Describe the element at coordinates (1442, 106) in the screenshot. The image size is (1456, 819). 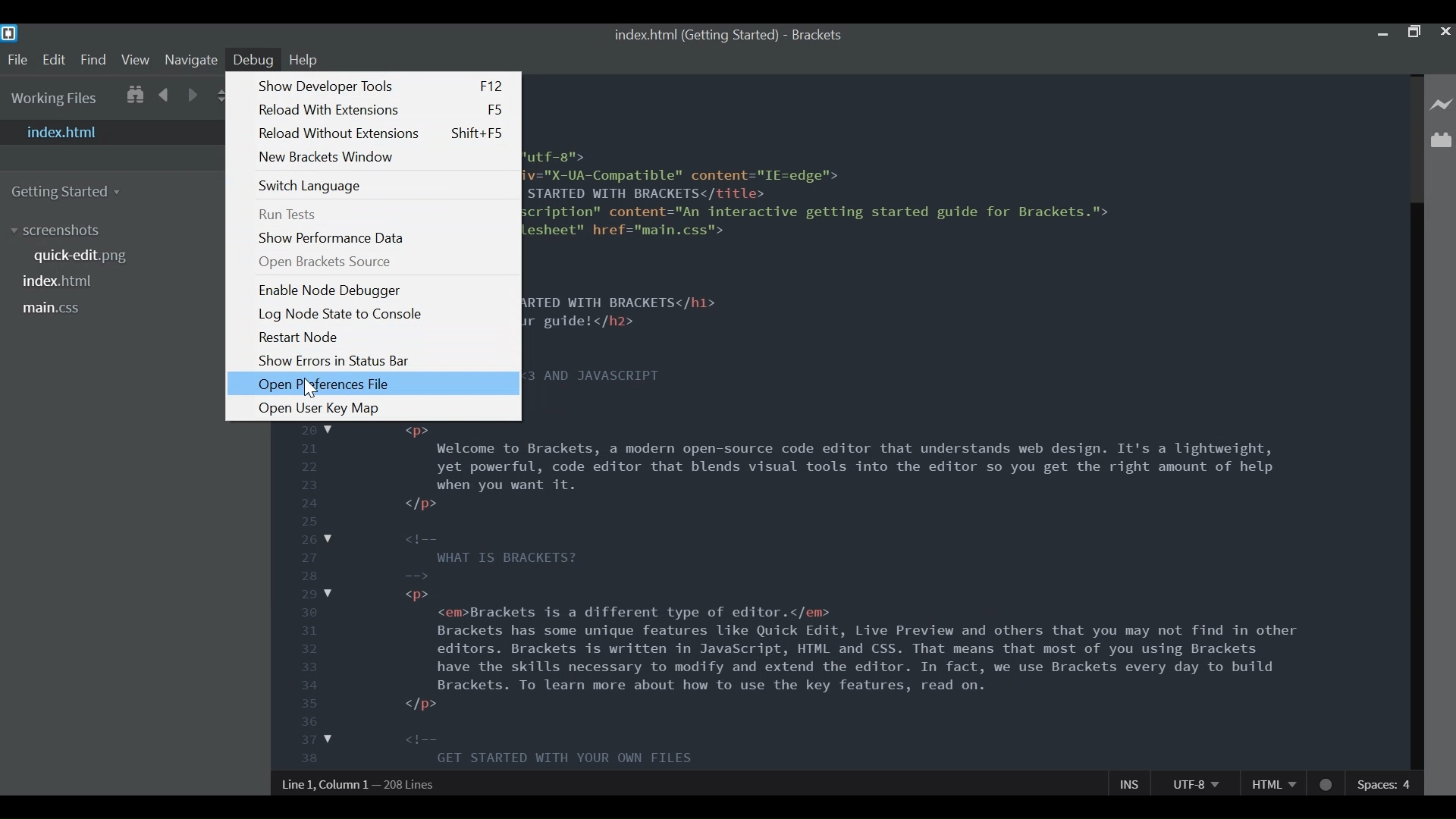
I see `Line Preview` at that location.